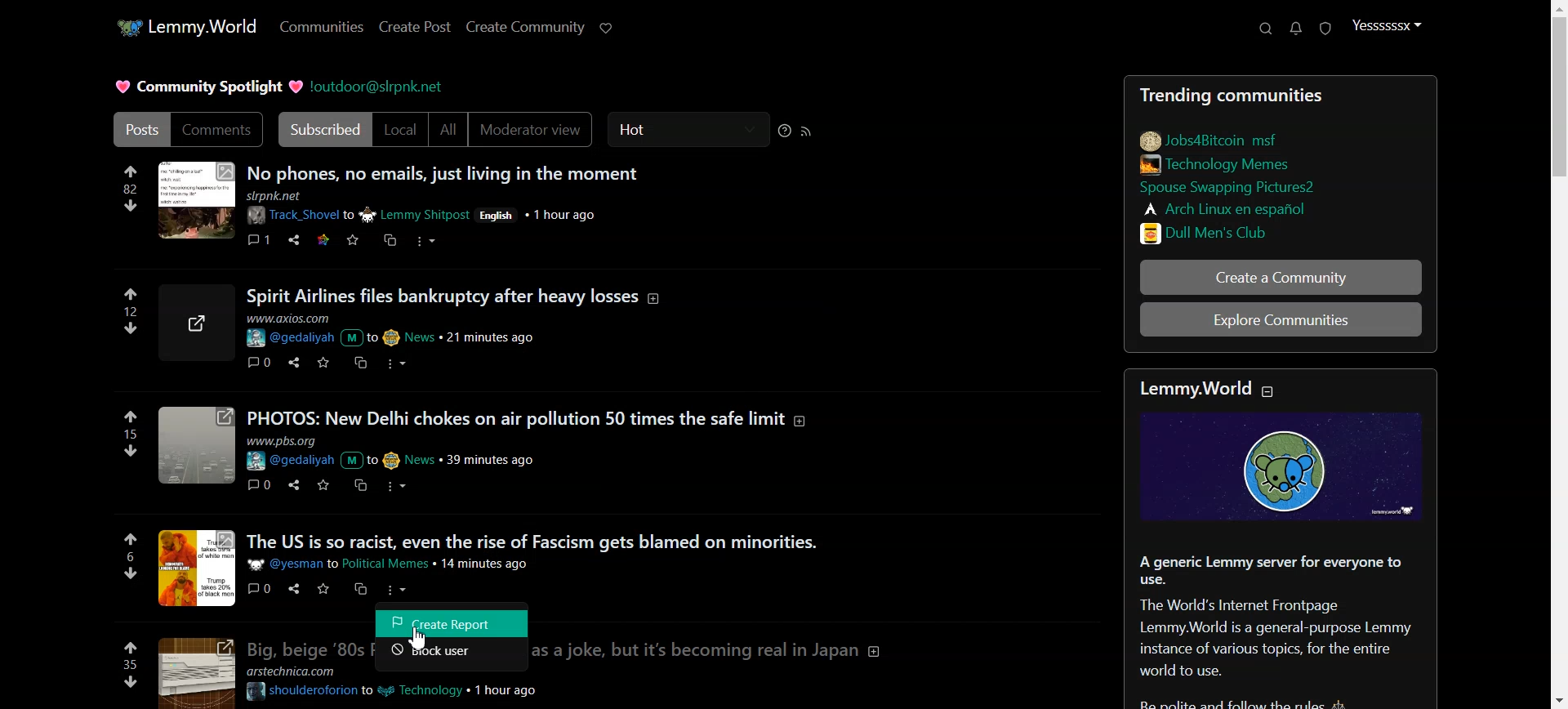 The image size is (1568, 709). What do you see at coordinates (131, 646) in the screenshot?
I see `upvote` at bounding box center [131, 646].